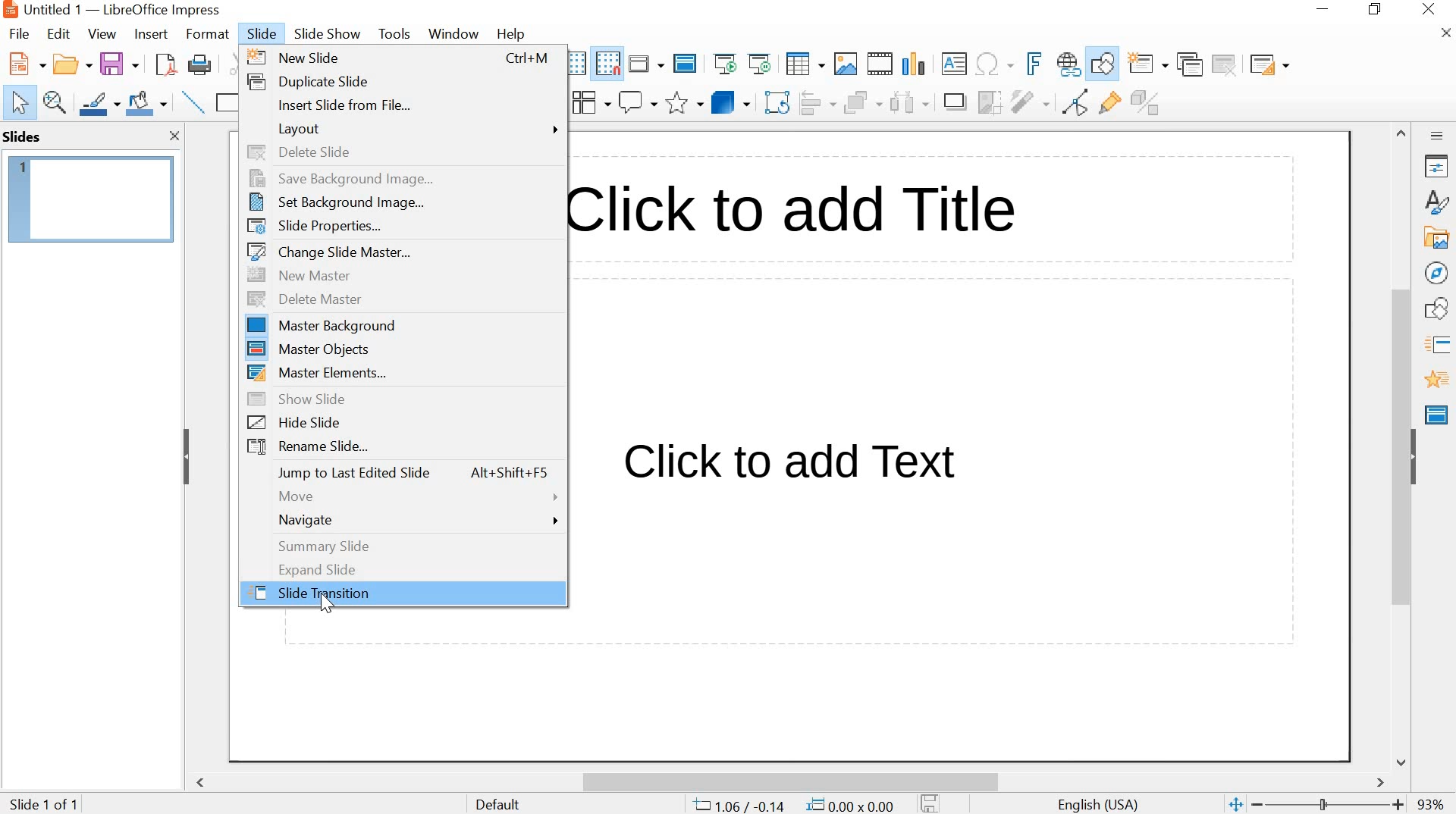 The width and height of the screenshot is (1456, 814). Describe the element at coordinates (1439, 308) in the screenshot. I see `SHAPES` at that location.